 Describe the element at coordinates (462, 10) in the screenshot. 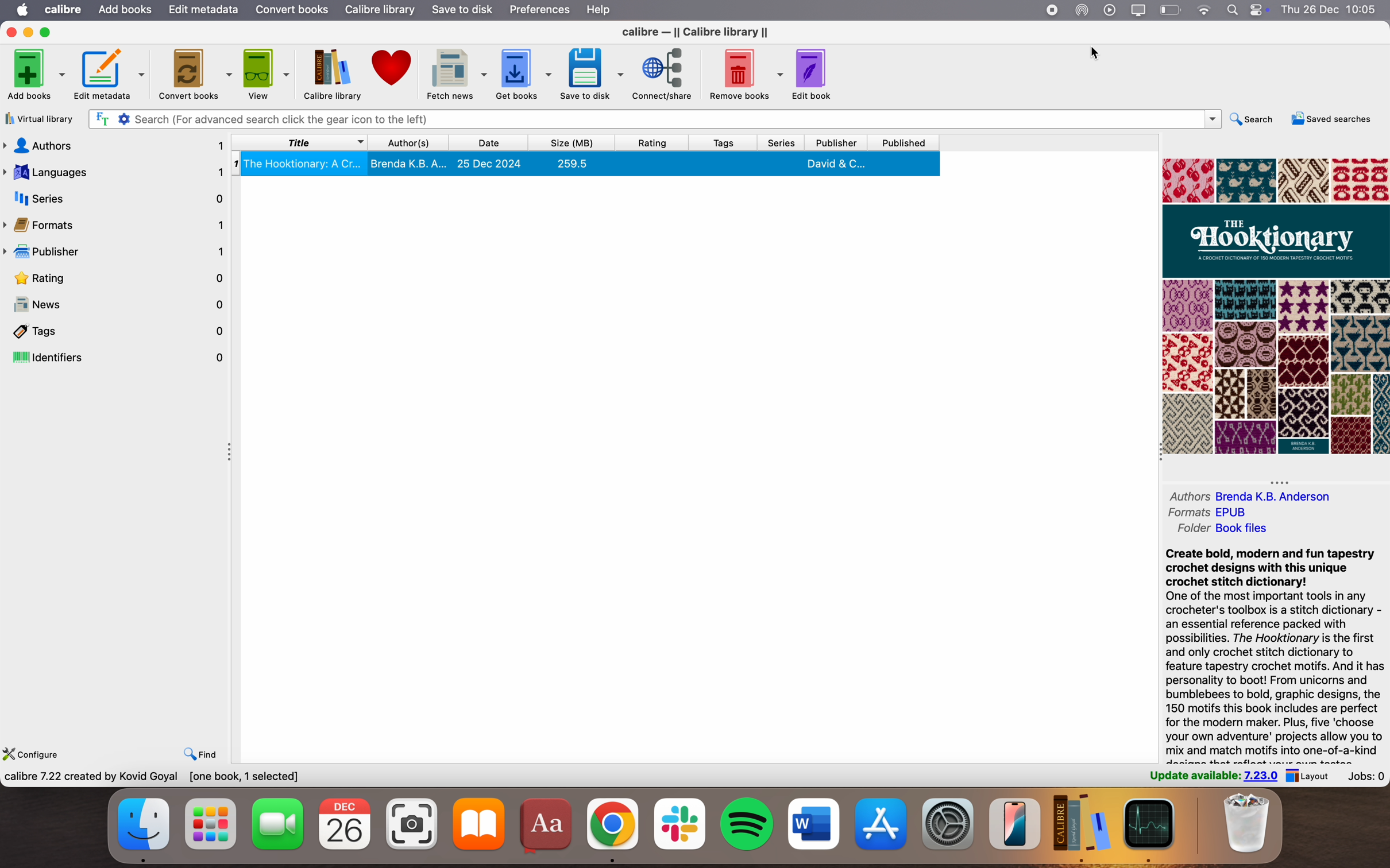

I see `save to disk` at that location.